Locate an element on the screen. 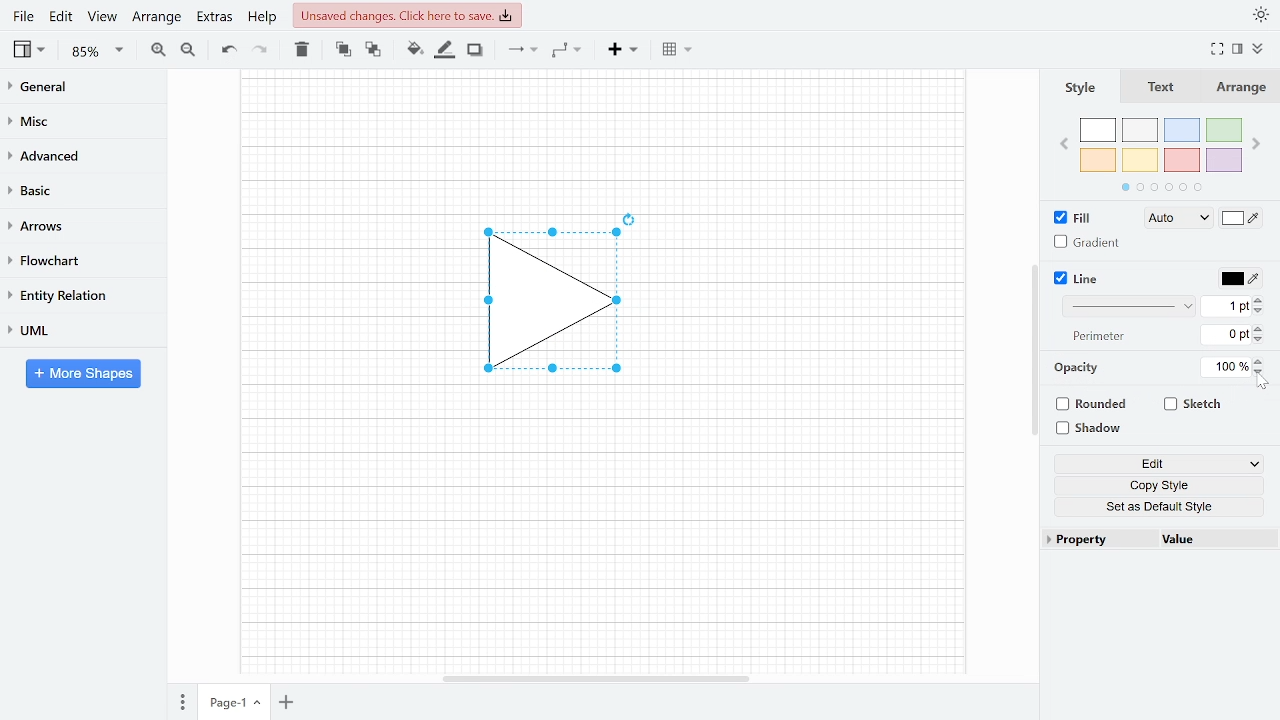 This screenshot has height=720, width=1280. Set as default style is located at coordinates (1162, 506).